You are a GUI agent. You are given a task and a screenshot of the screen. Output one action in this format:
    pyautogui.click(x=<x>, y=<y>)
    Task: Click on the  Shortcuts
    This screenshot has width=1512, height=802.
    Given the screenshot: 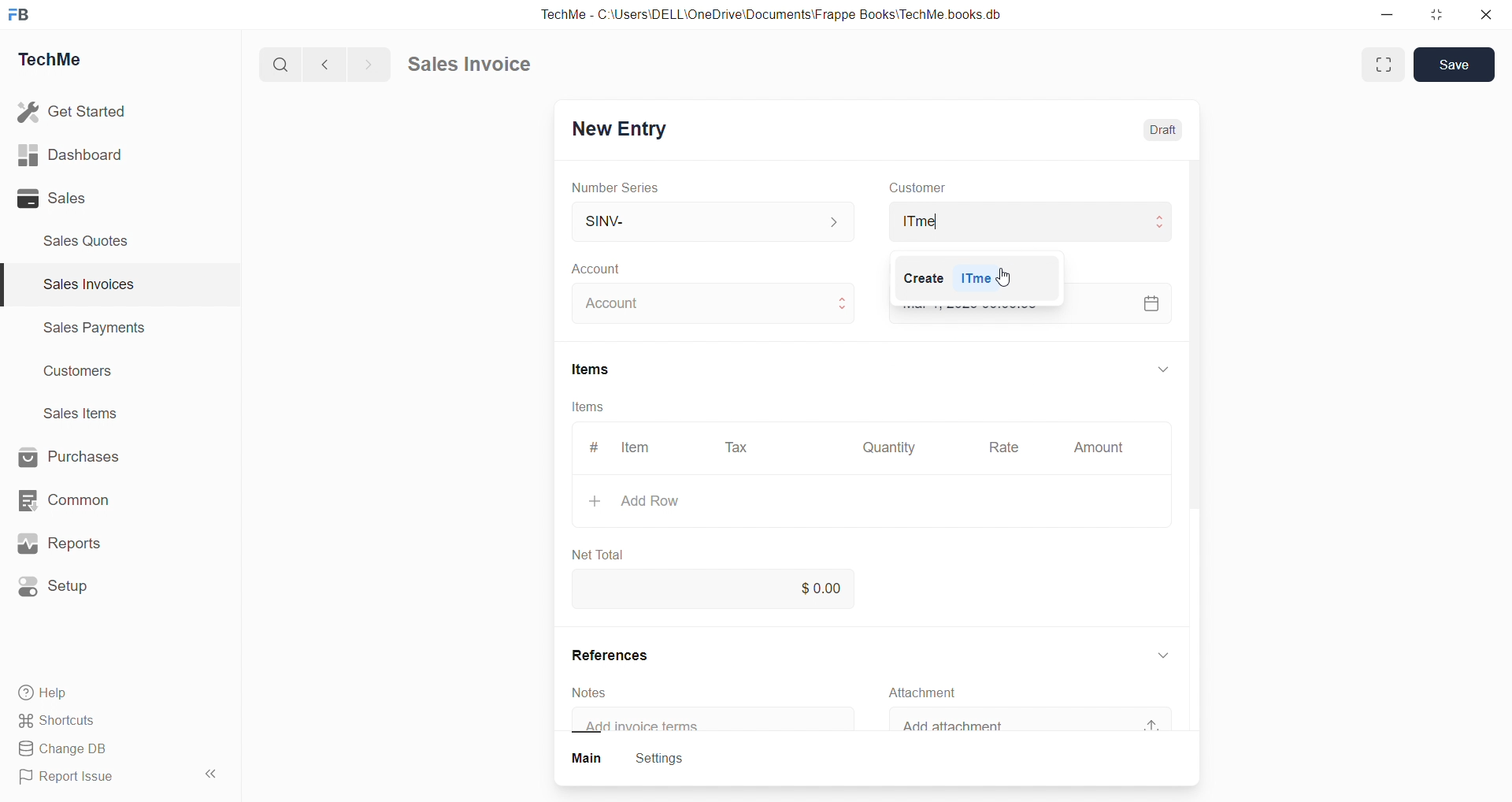 What is the action you would take?
    pyautogui.click(x=63, y=722)
    